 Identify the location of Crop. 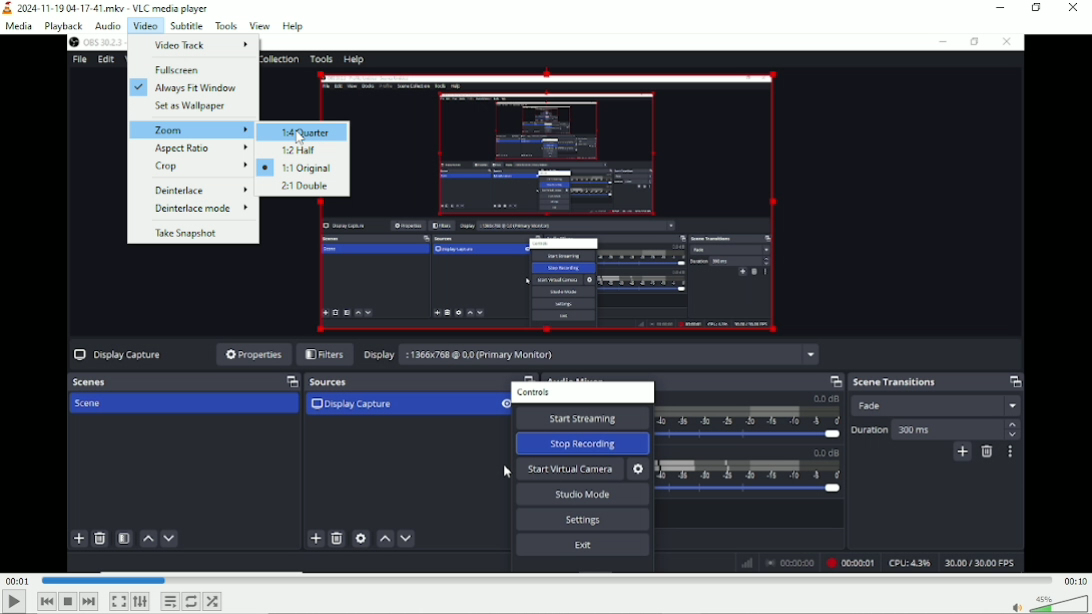
(193, 167).